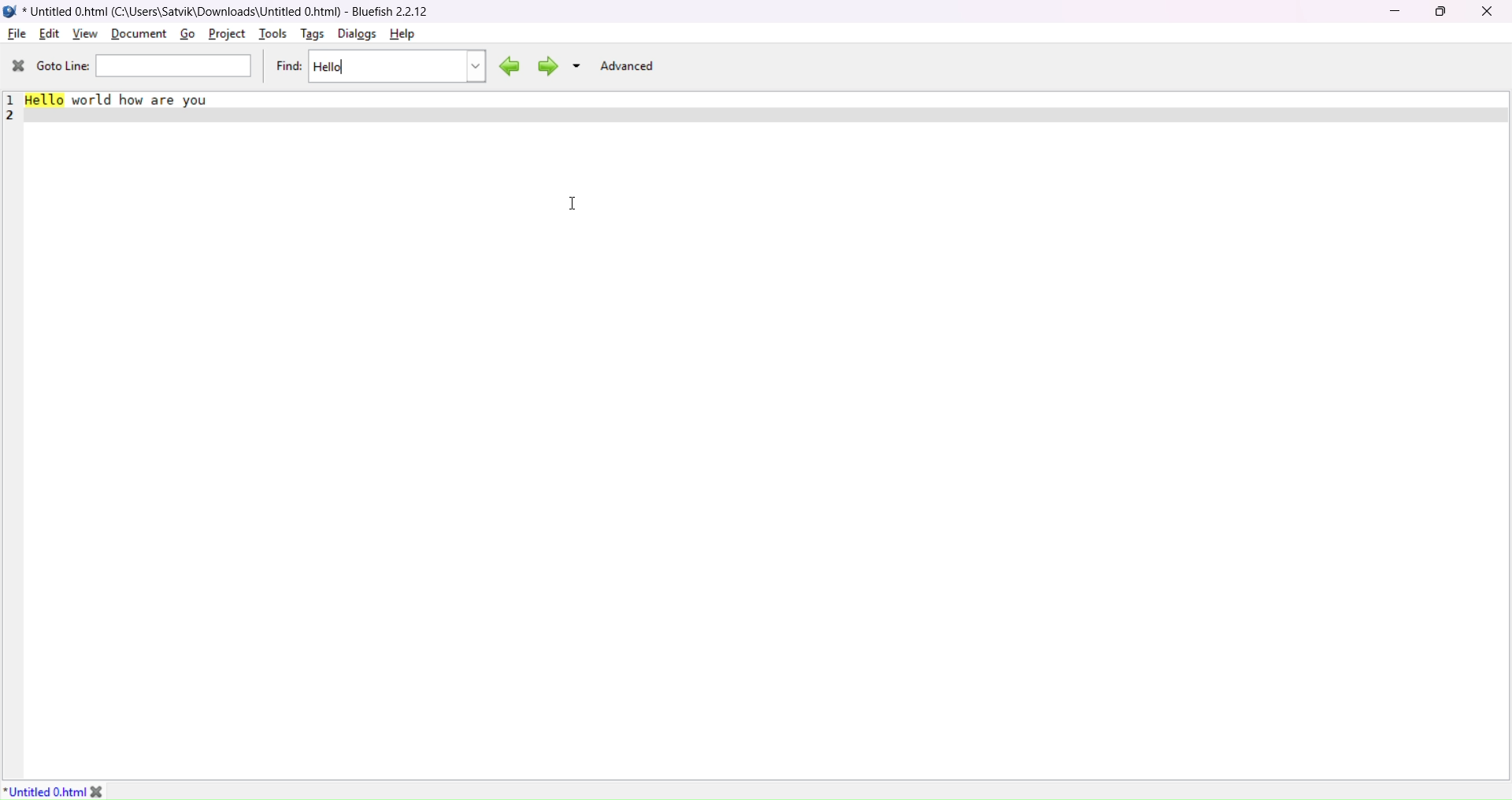 Image resolution: width=1512 pixels, height=800 pixels. I want to click on close pane, so click(16, 66).